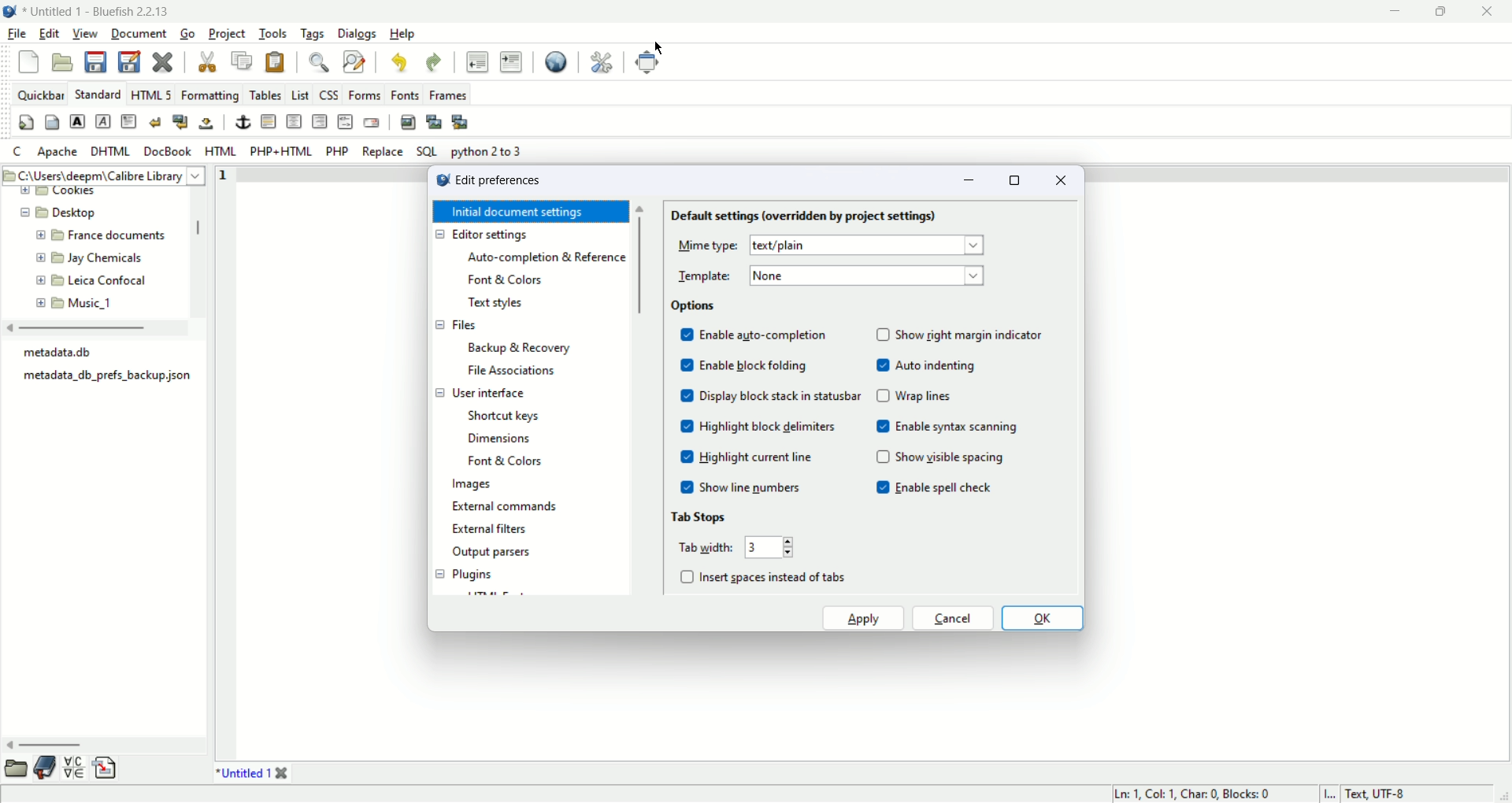  What do you see at coordinates (514, 417) in the screenshot?
I see `shortcut keys` at bounding box center [514, 417].